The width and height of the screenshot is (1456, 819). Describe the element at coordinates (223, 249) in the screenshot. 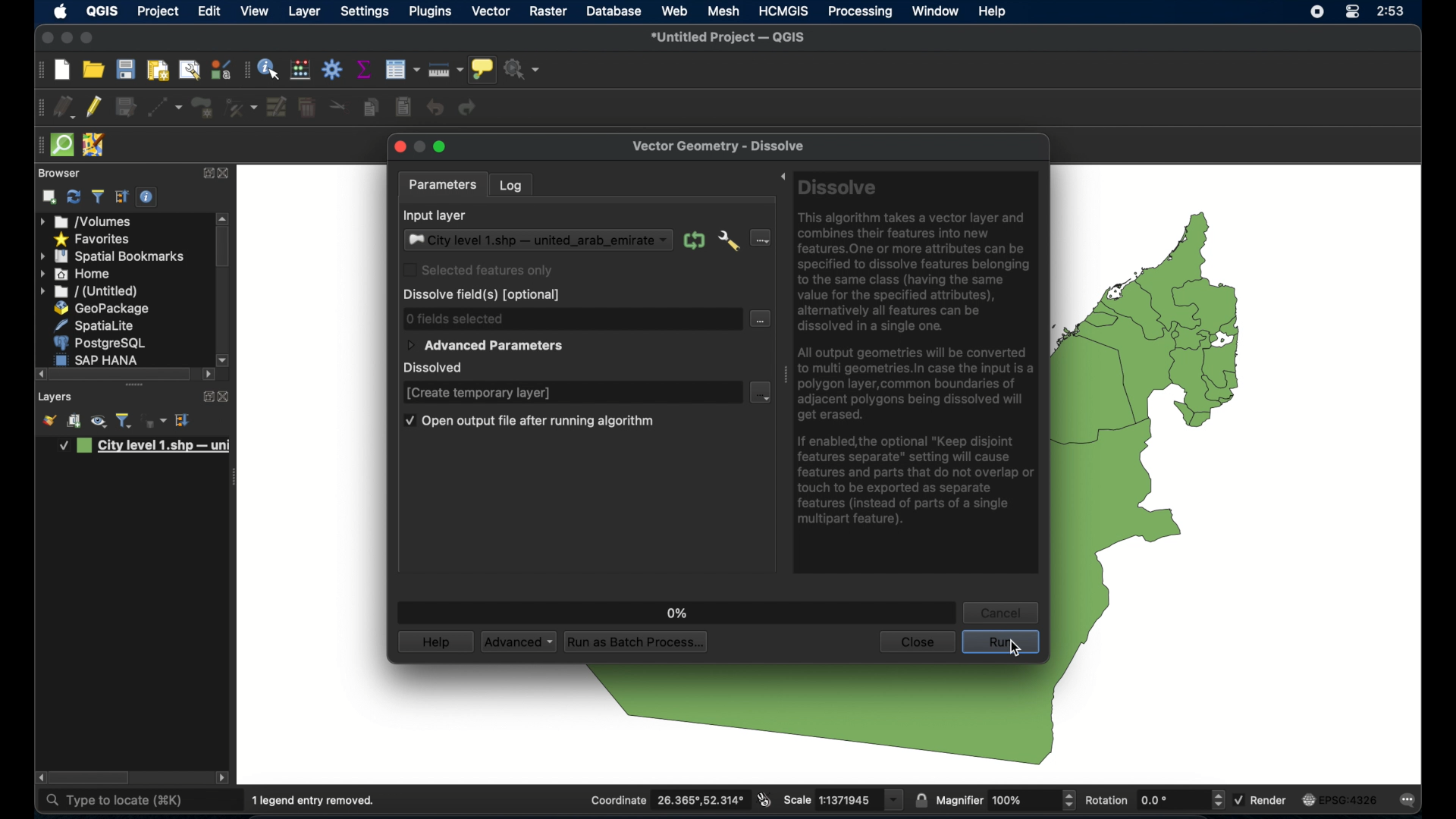

I see `scroll box` at that location.